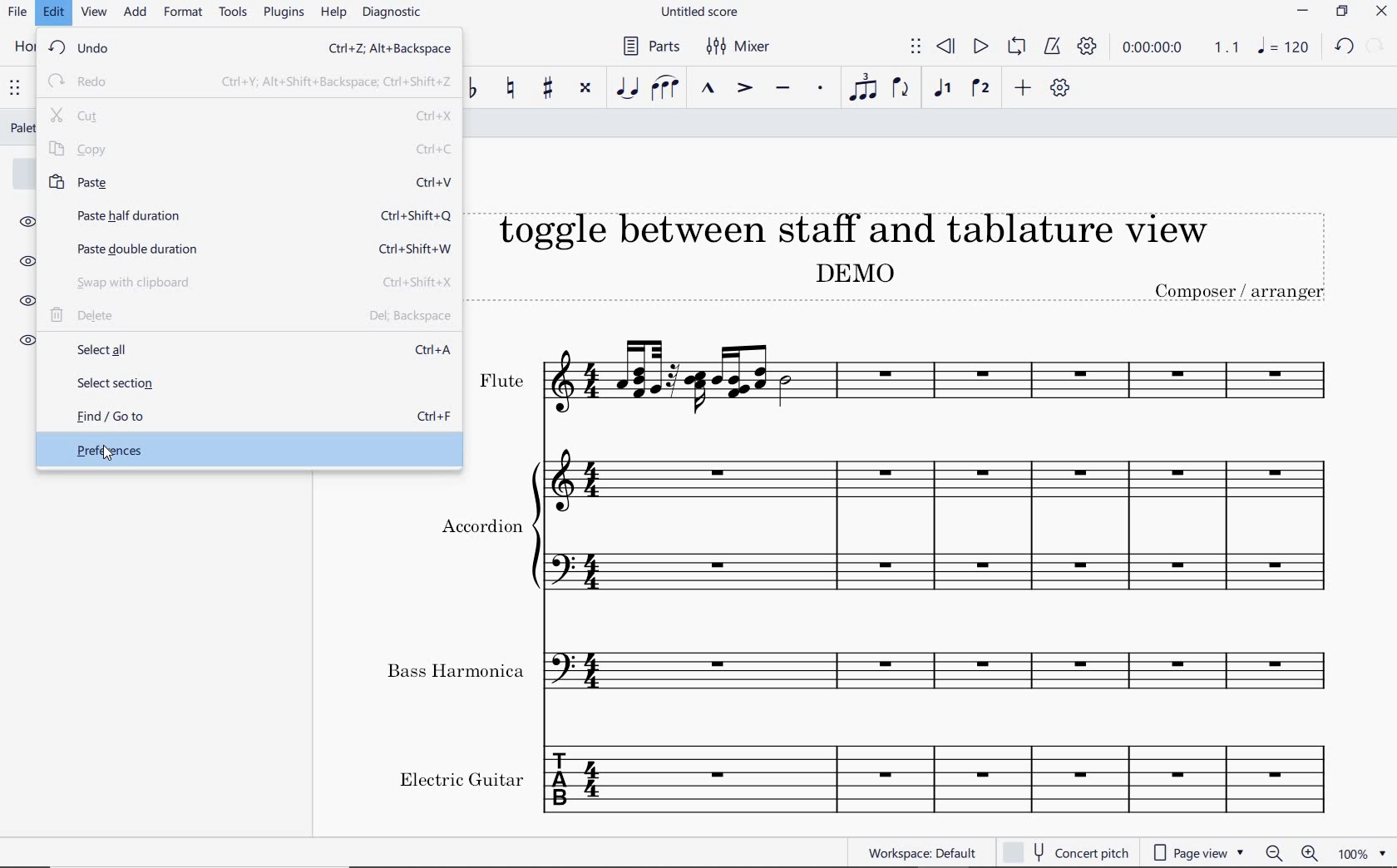 The height and width of the screenshot is (868, 1397). I want to click on playback time, so click(1156, 50).